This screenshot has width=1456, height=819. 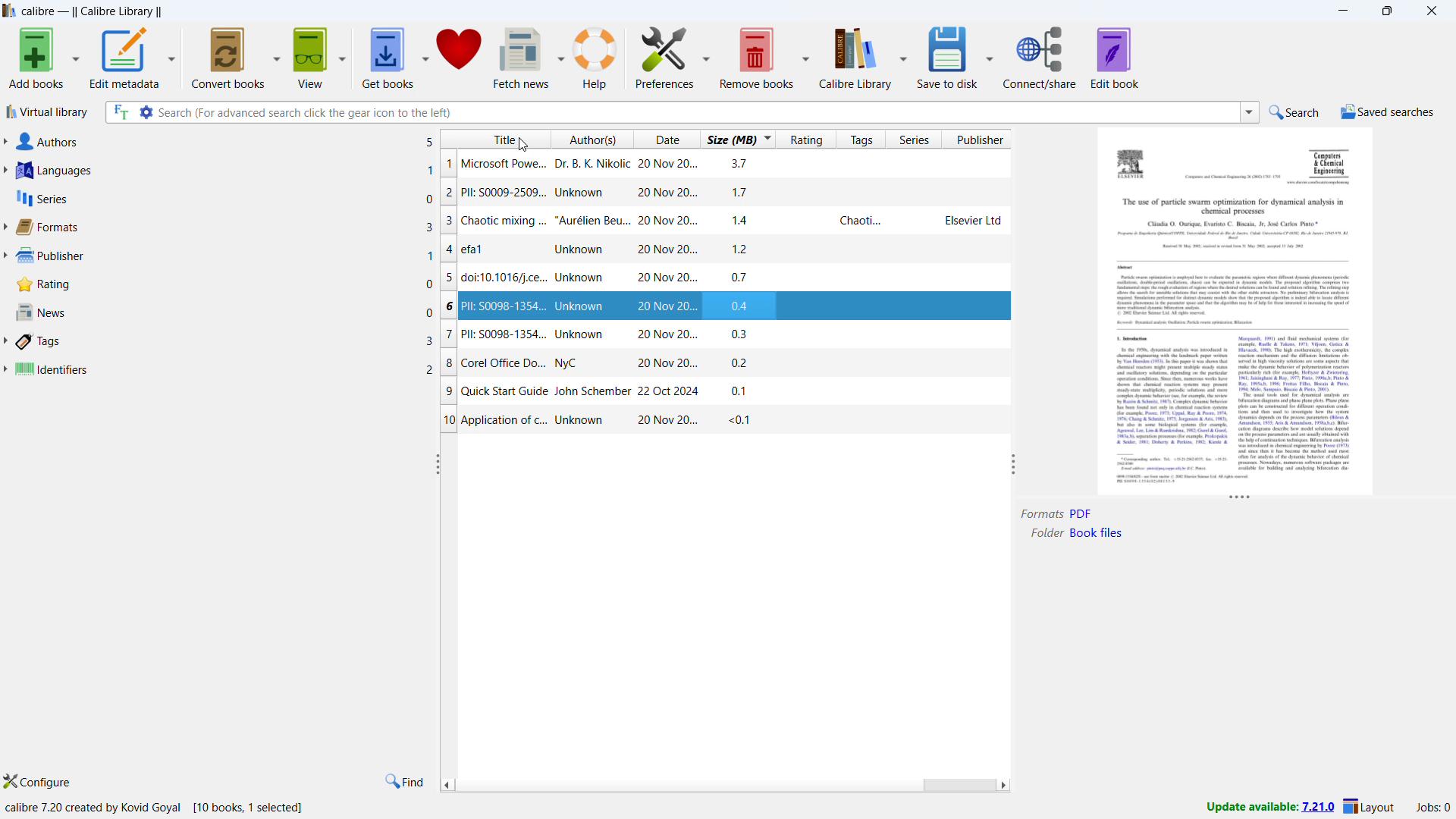 I want to click on scroll left, so click(x=445, y=783).